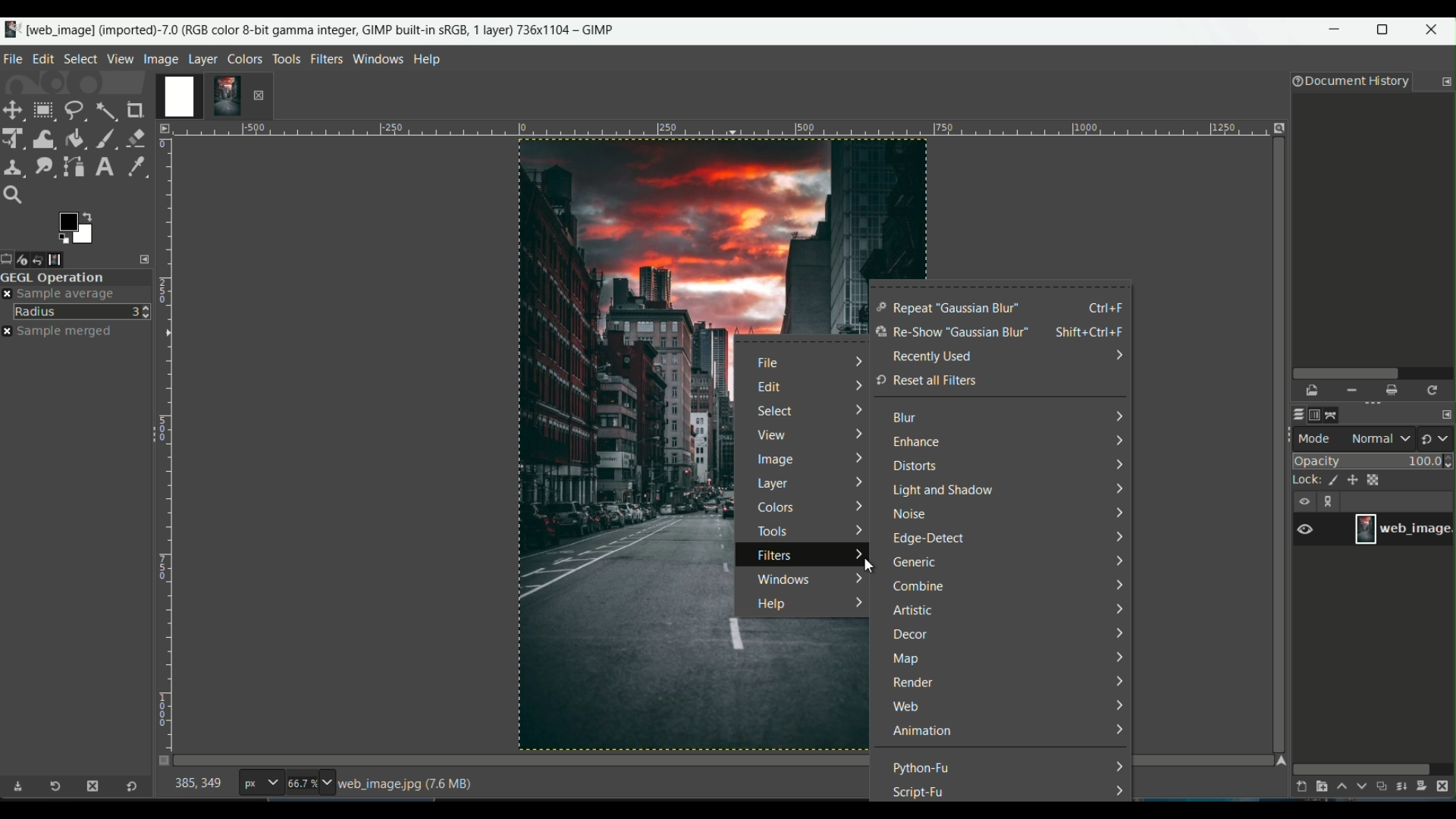 The width and height of the screenshot is (1456, 819). I want to click on reset all filters, so click(926, 381).